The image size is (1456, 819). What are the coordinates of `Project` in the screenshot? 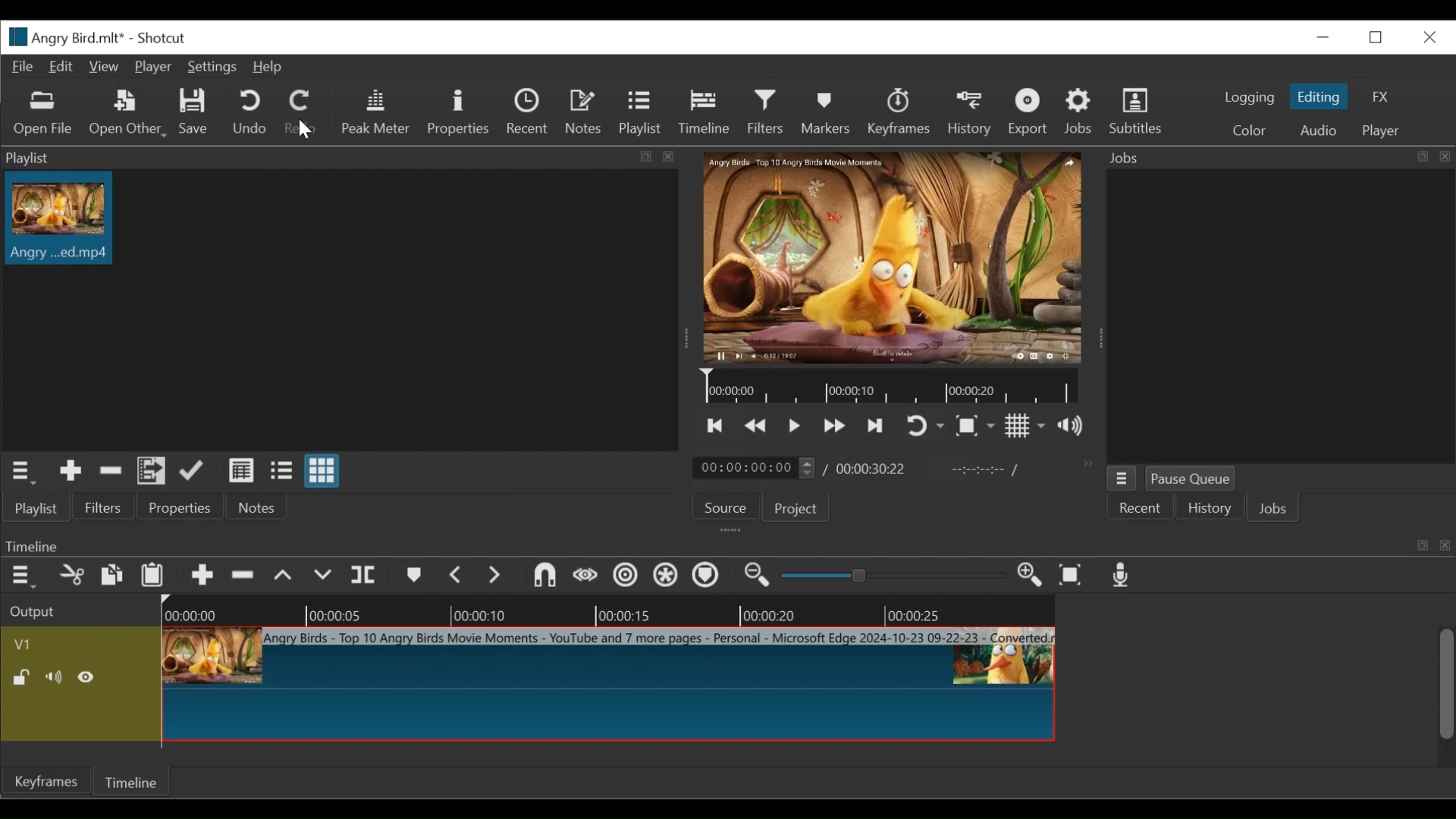 It's located at (792, 507).